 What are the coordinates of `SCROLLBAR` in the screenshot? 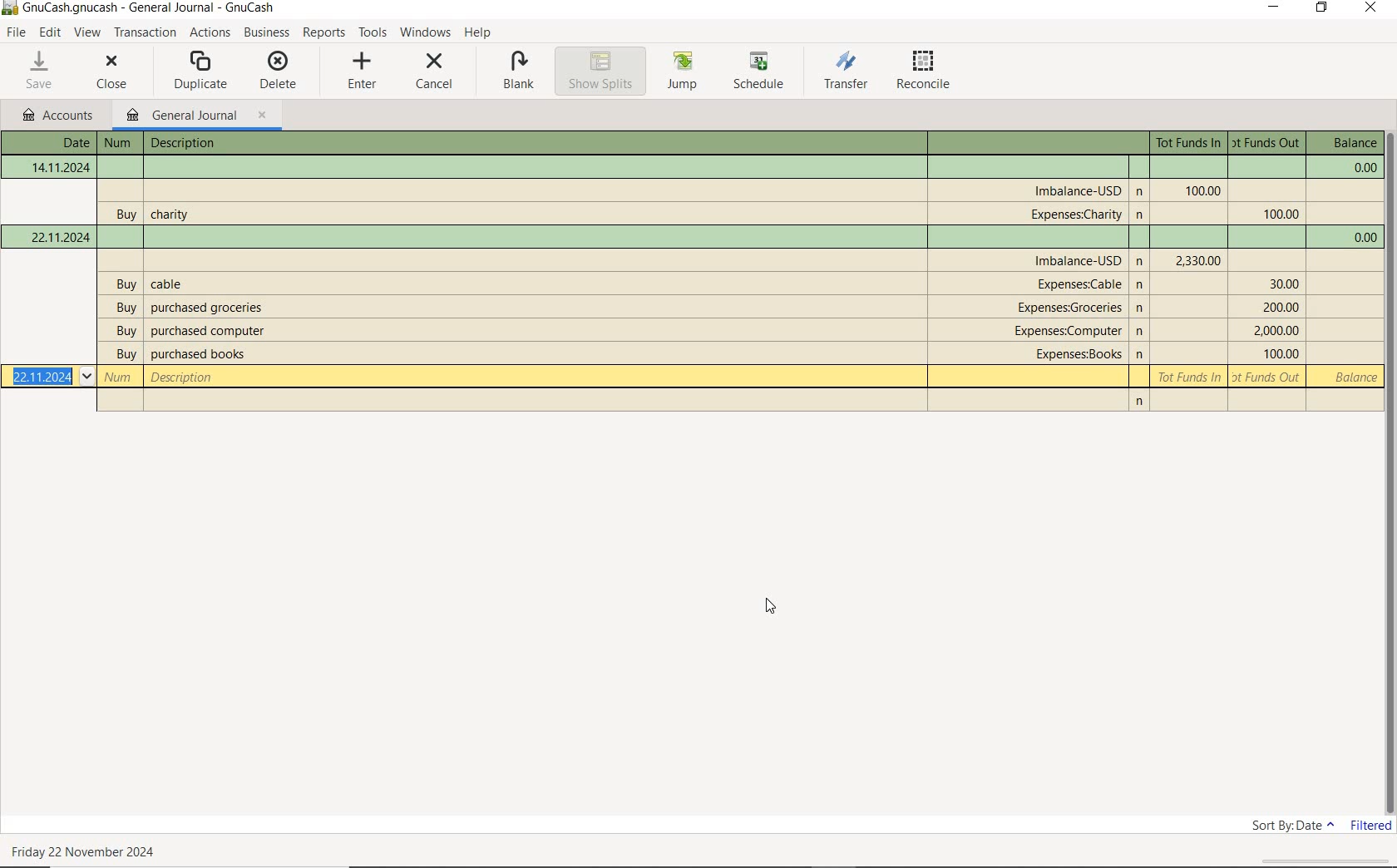 It's located at (1389, 471).